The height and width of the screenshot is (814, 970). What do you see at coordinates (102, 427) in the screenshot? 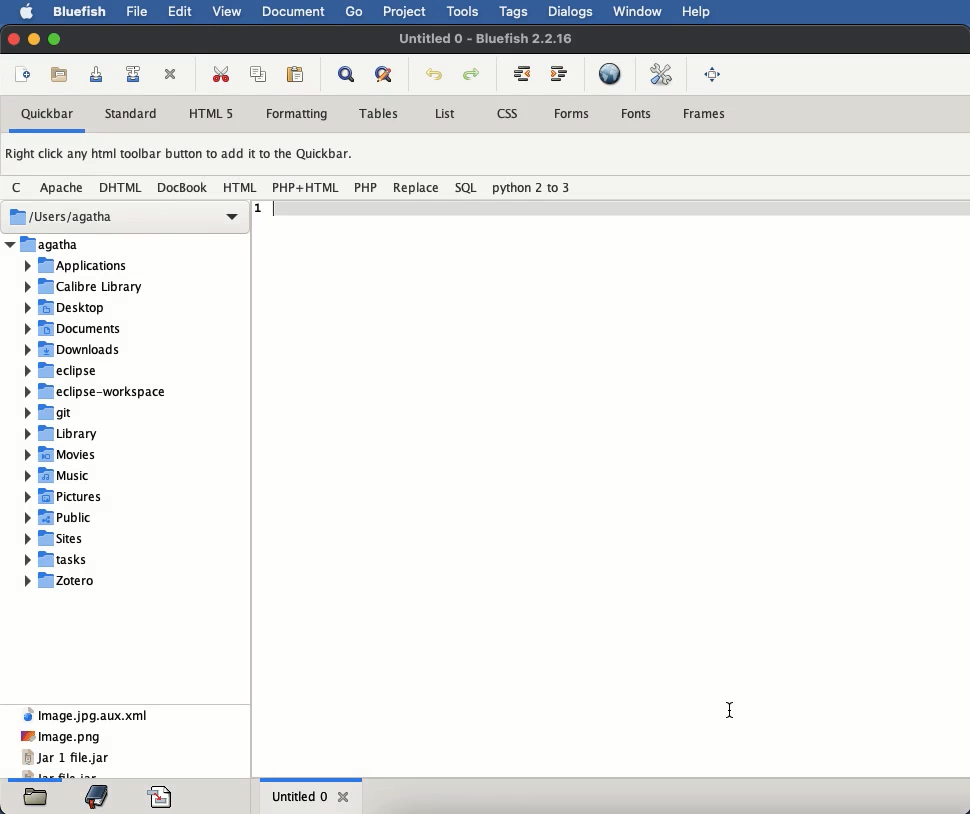
I see `files` at bounding box center [102, 427].